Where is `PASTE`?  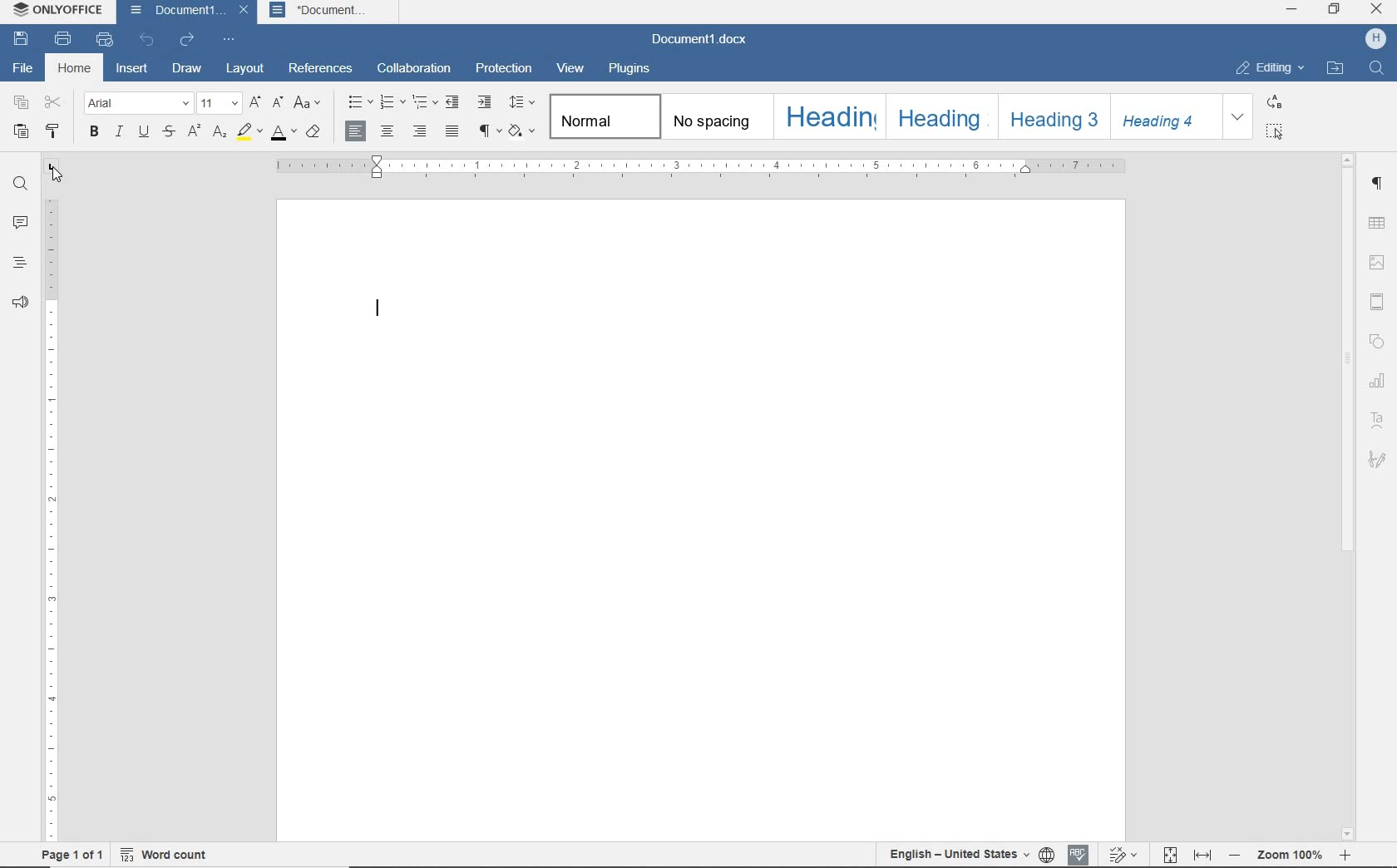
PASTE is located at coordinates (22, 133).